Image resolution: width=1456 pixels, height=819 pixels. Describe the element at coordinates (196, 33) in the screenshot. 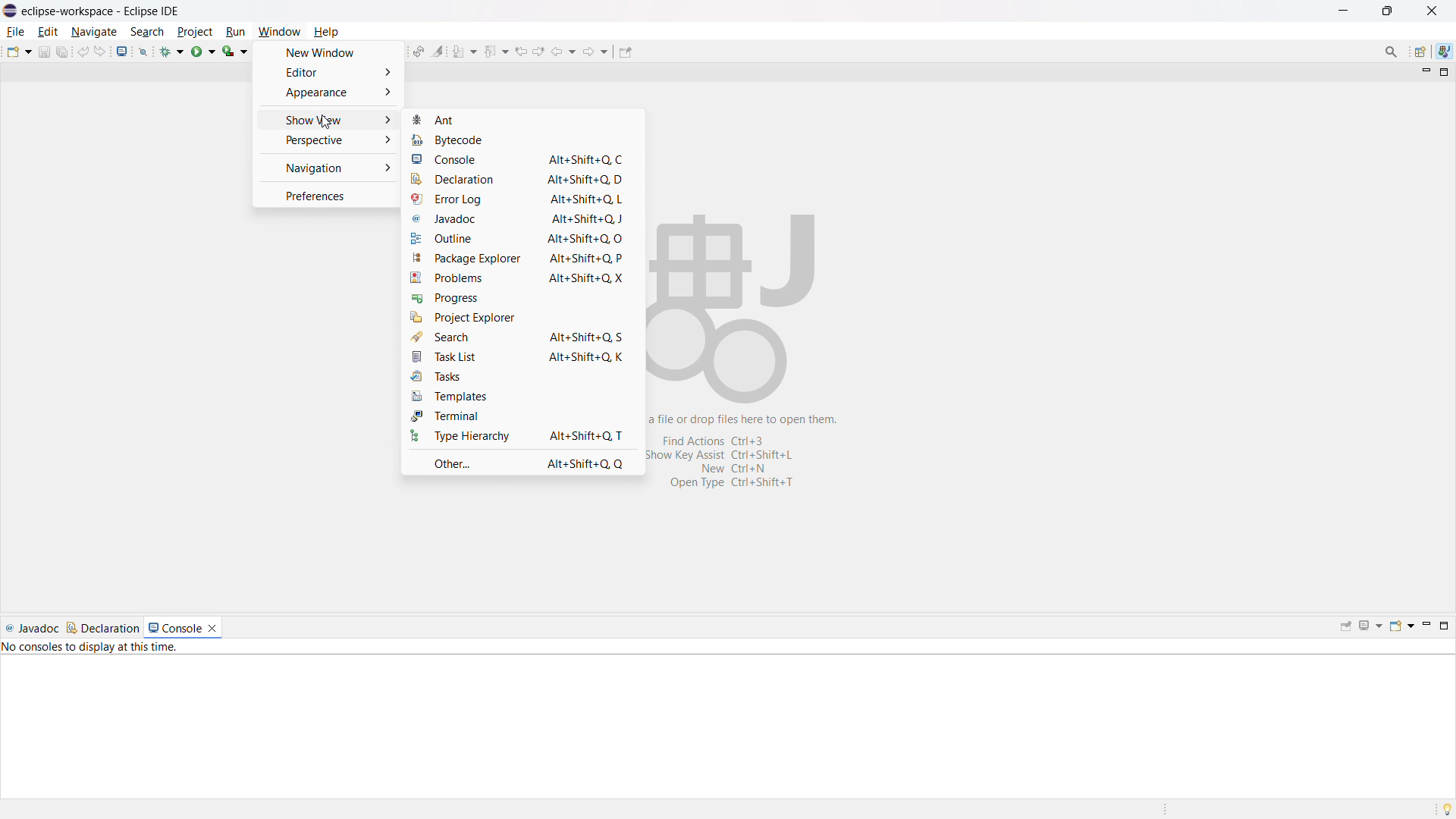

I see `project` at that location.